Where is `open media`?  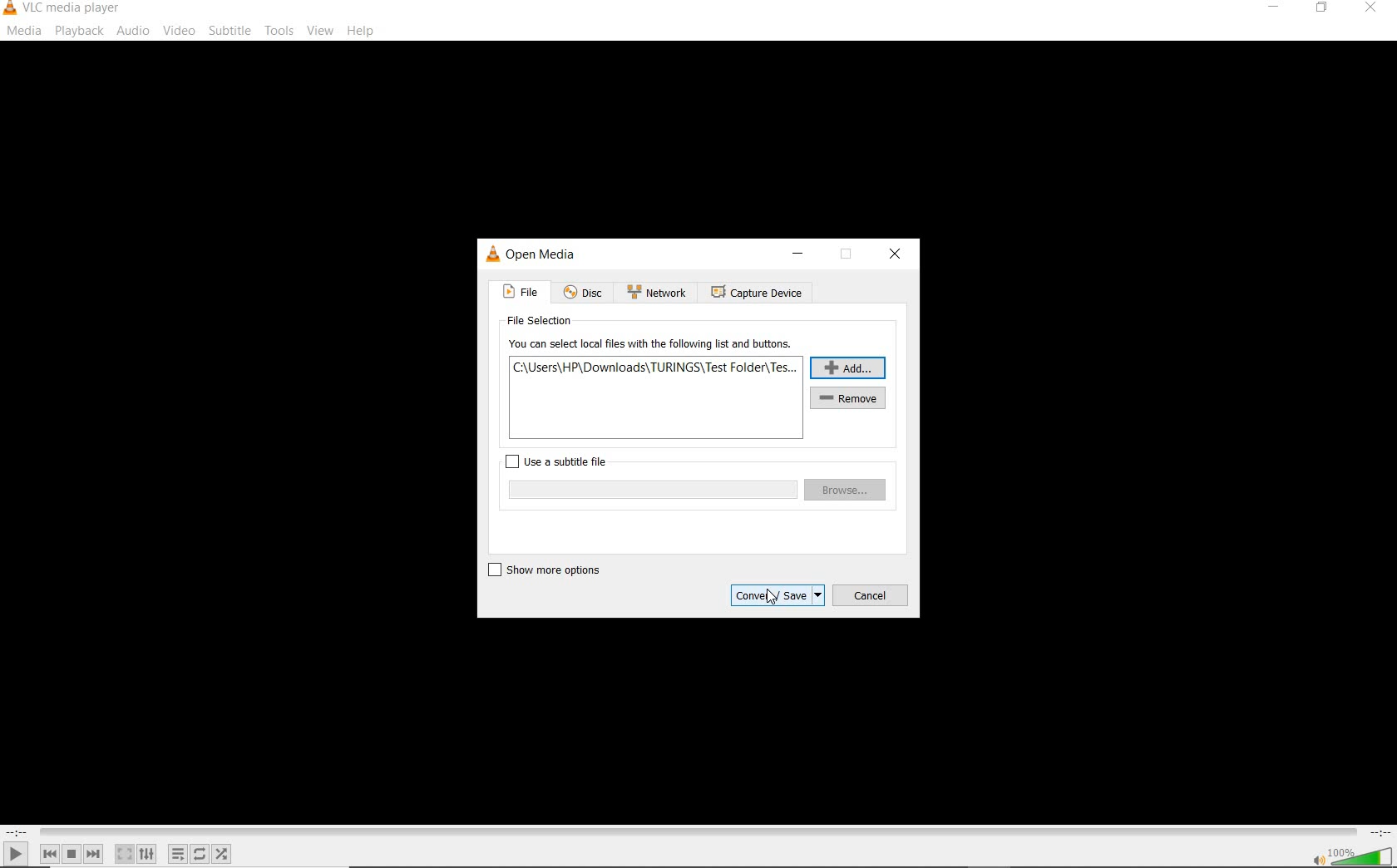
open media is located at coordinates (532, 254).